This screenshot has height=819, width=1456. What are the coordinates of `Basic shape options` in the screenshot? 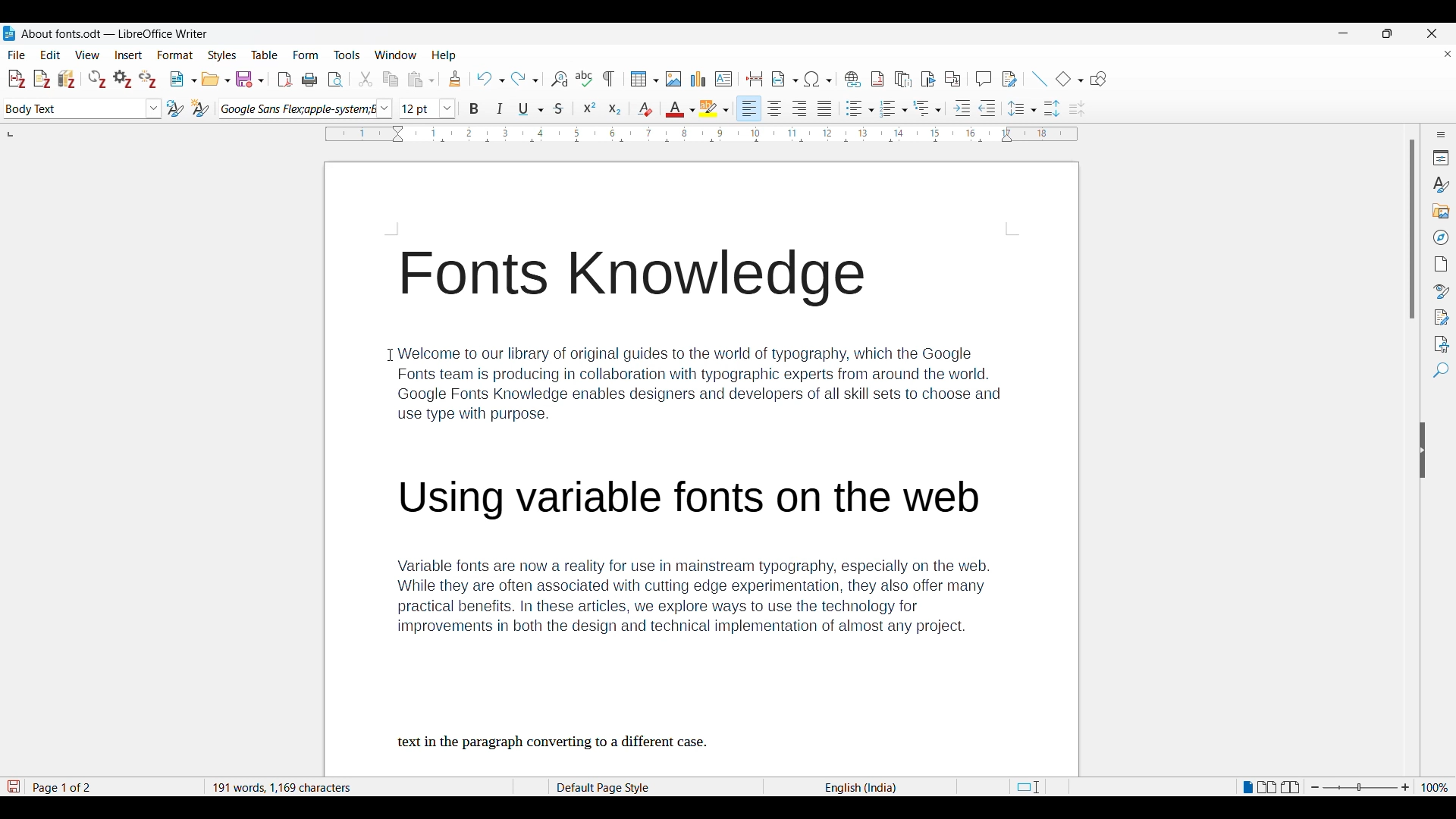 It's located at (1069, 79).